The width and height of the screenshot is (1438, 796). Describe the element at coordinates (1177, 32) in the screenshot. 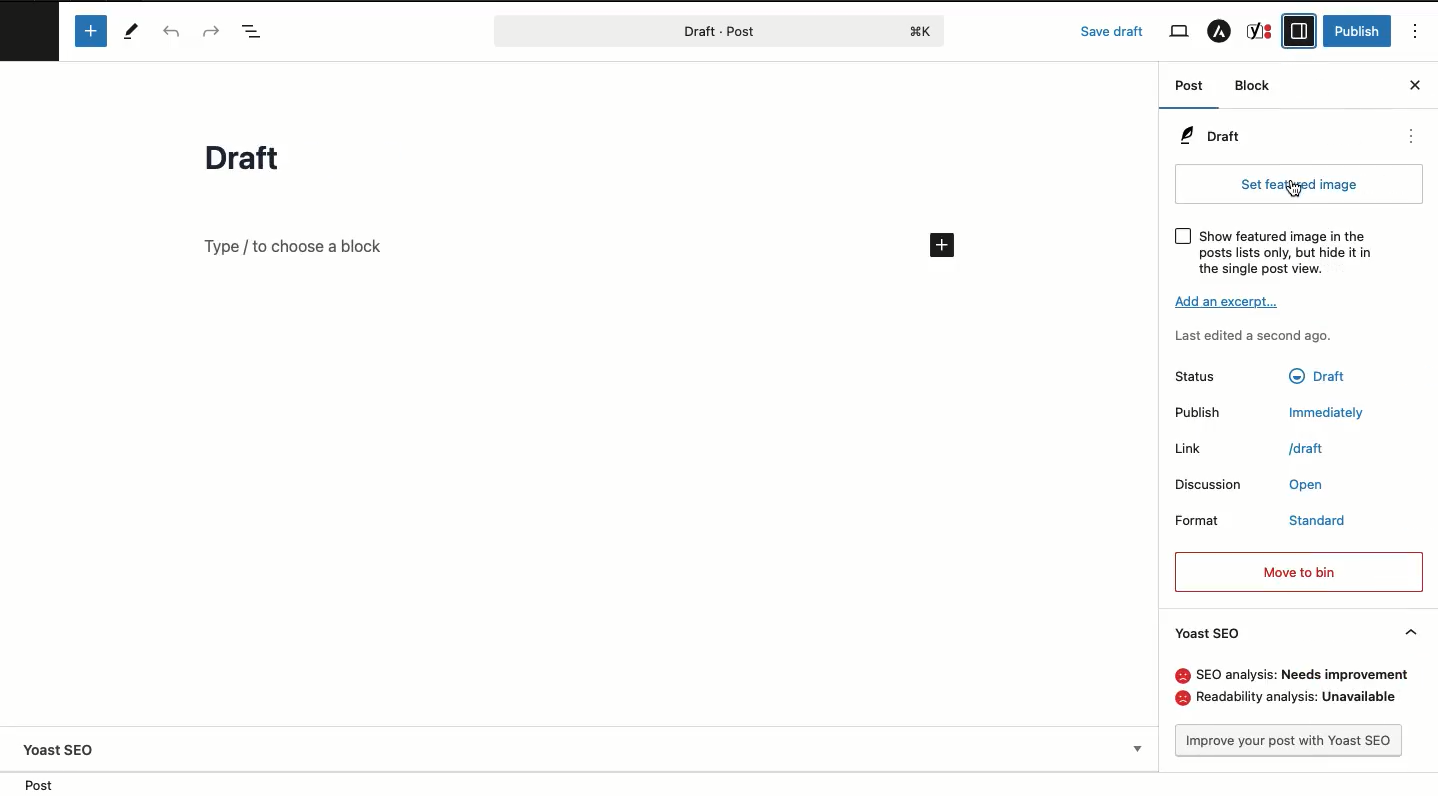

I see `View` at that location.